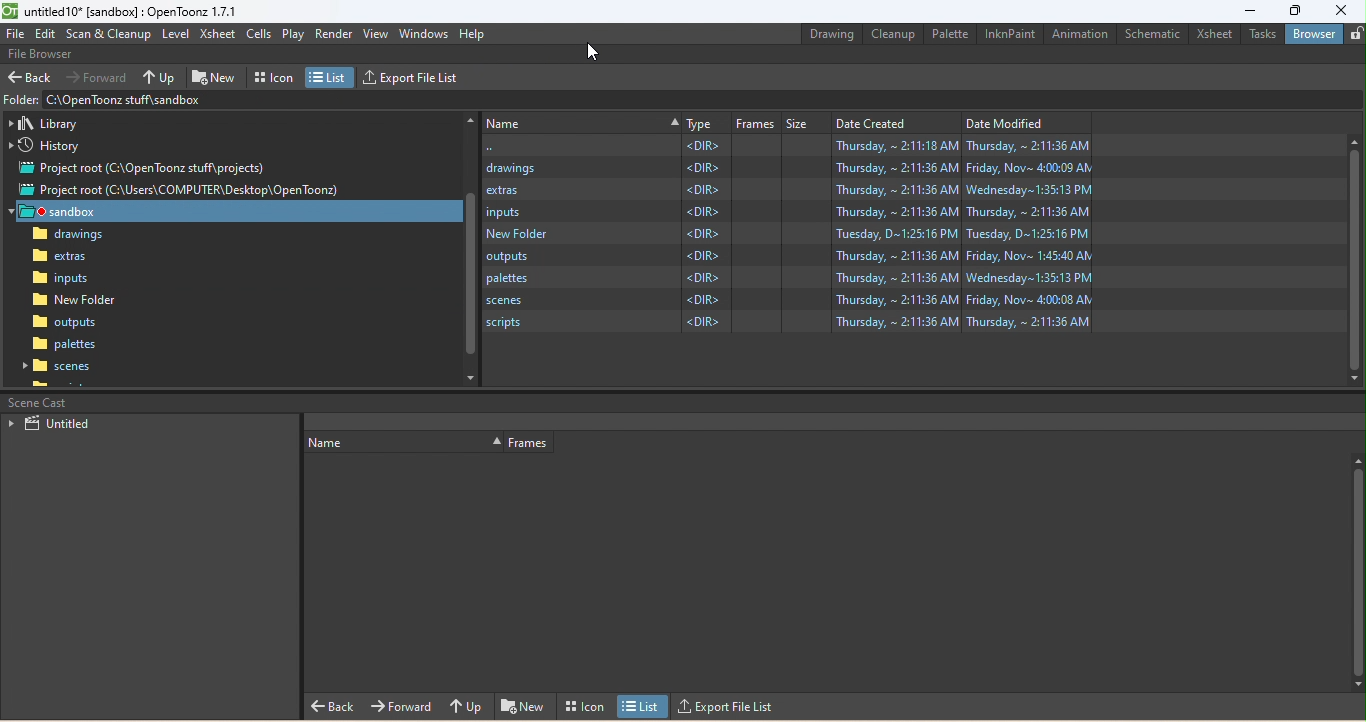 Image resolution: width=1366 pixels, height=722 pixels. Describe the element at coordinates (291, 35) in the screenshot. I see `Play` at that location.